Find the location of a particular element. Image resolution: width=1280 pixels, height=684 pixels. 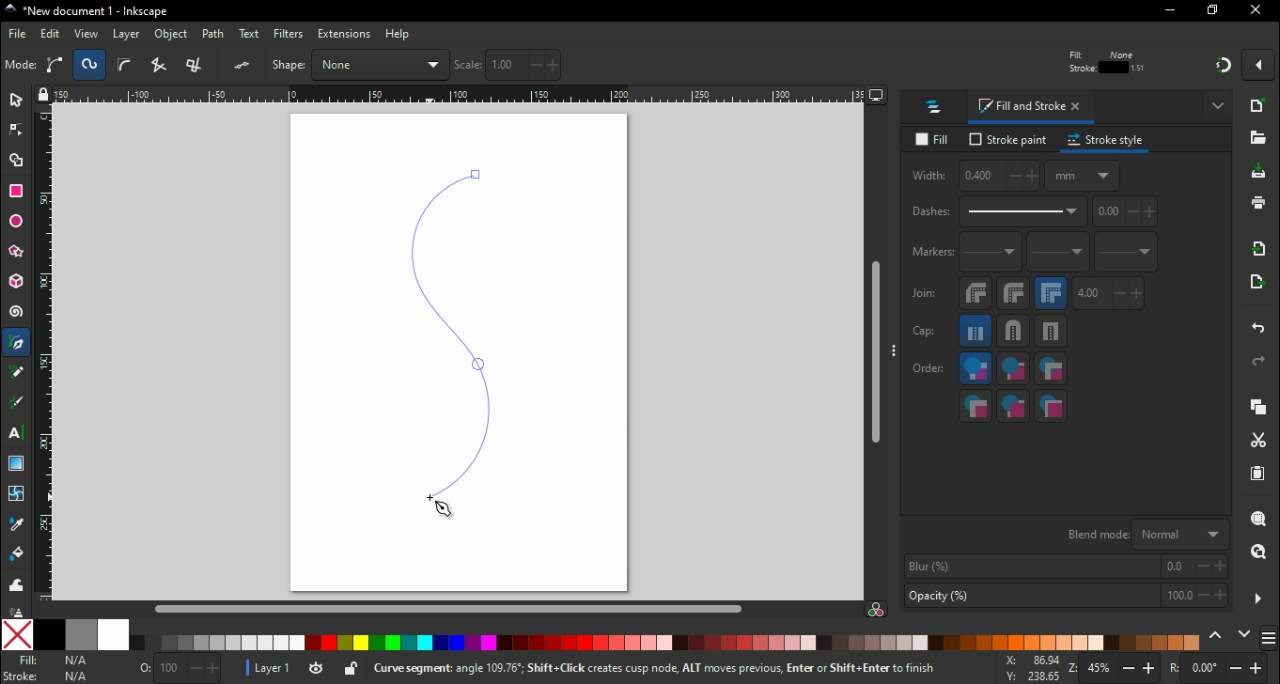

create regular bezier path is located at coordinates (56, 65).